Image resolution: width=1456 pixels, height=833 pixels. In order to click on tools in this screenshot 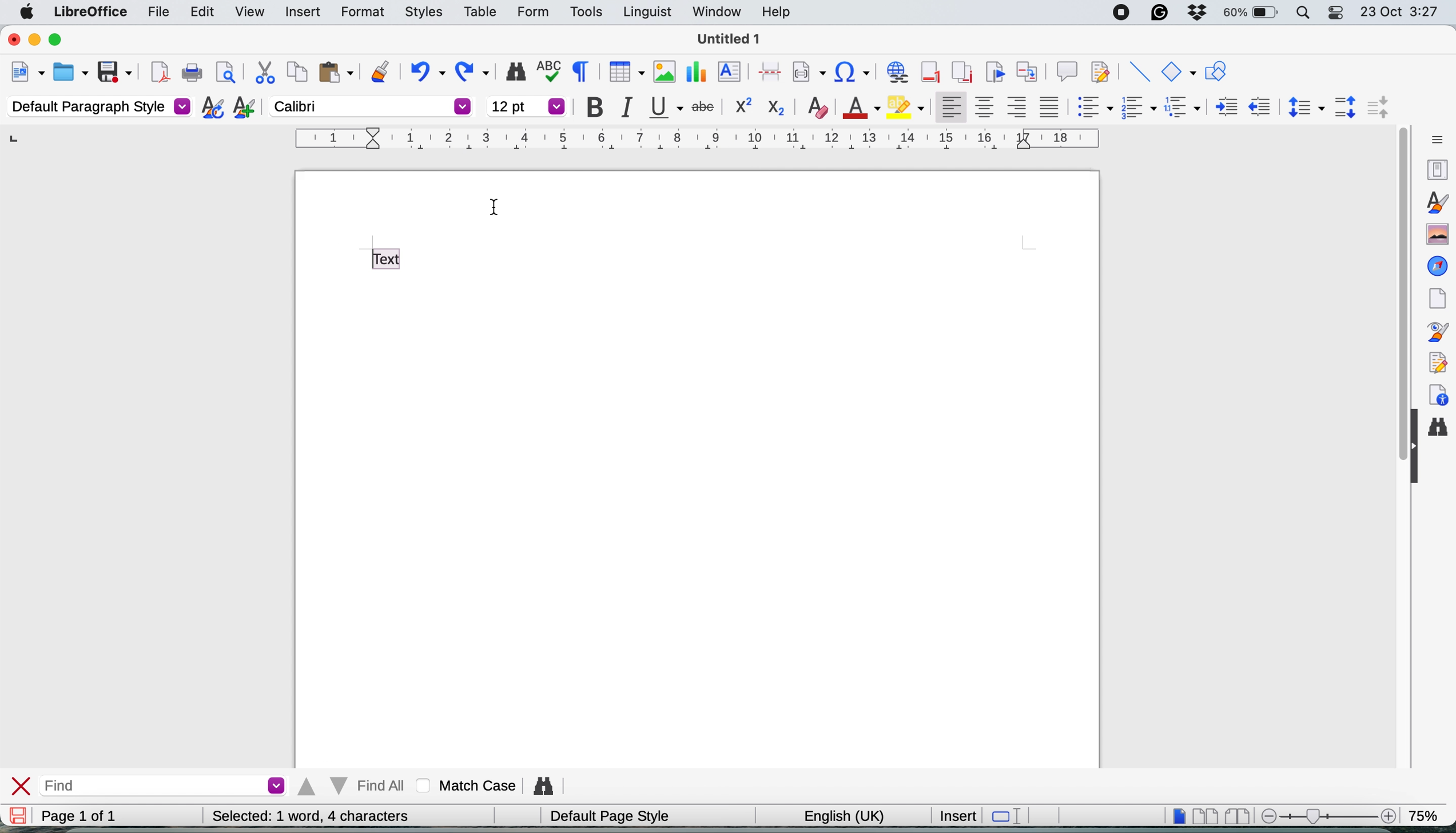, I will do `click(586, 13)`.